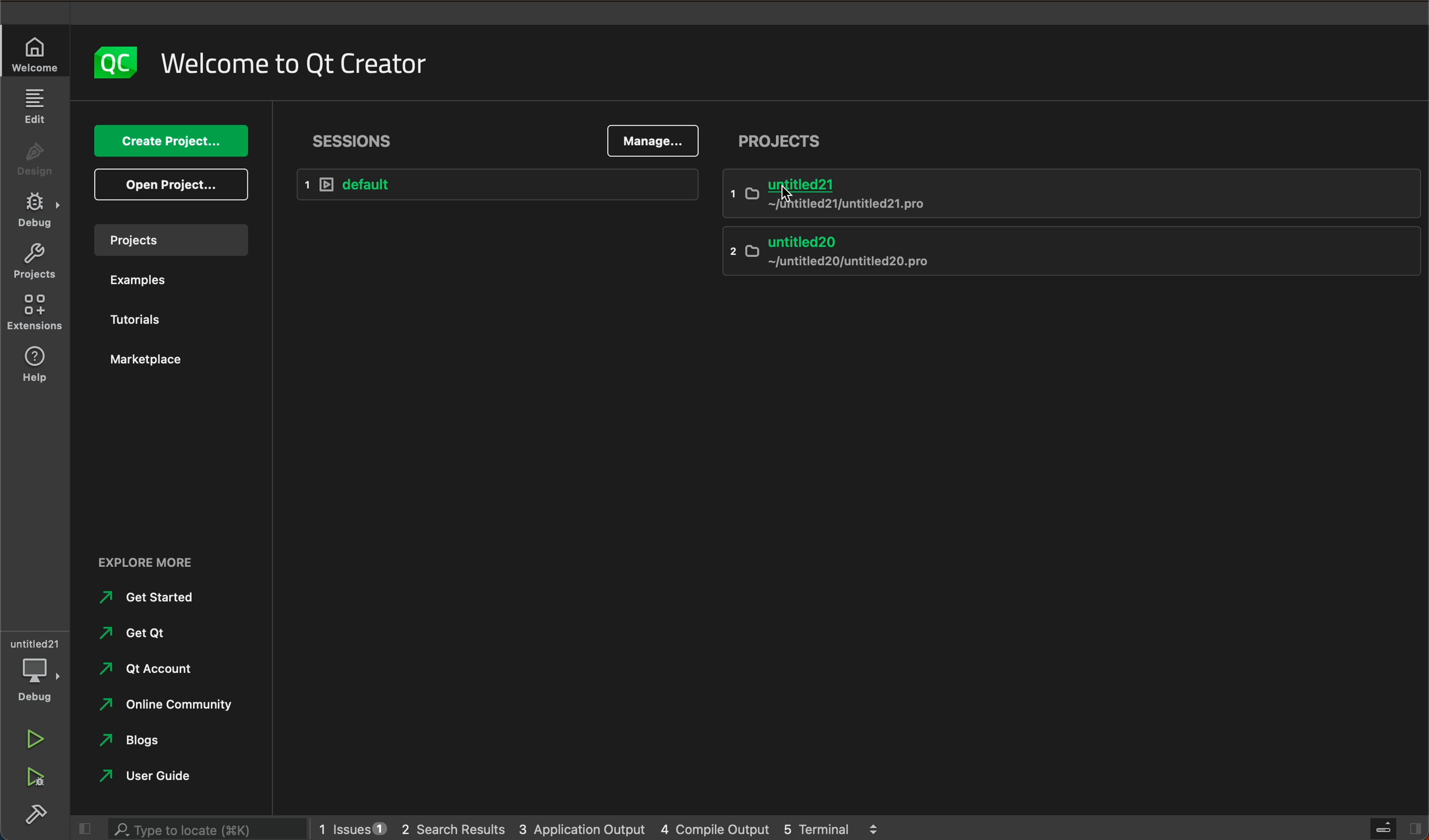 The image size is (1429, 840). I want to click on user guide, so click(157, 777).